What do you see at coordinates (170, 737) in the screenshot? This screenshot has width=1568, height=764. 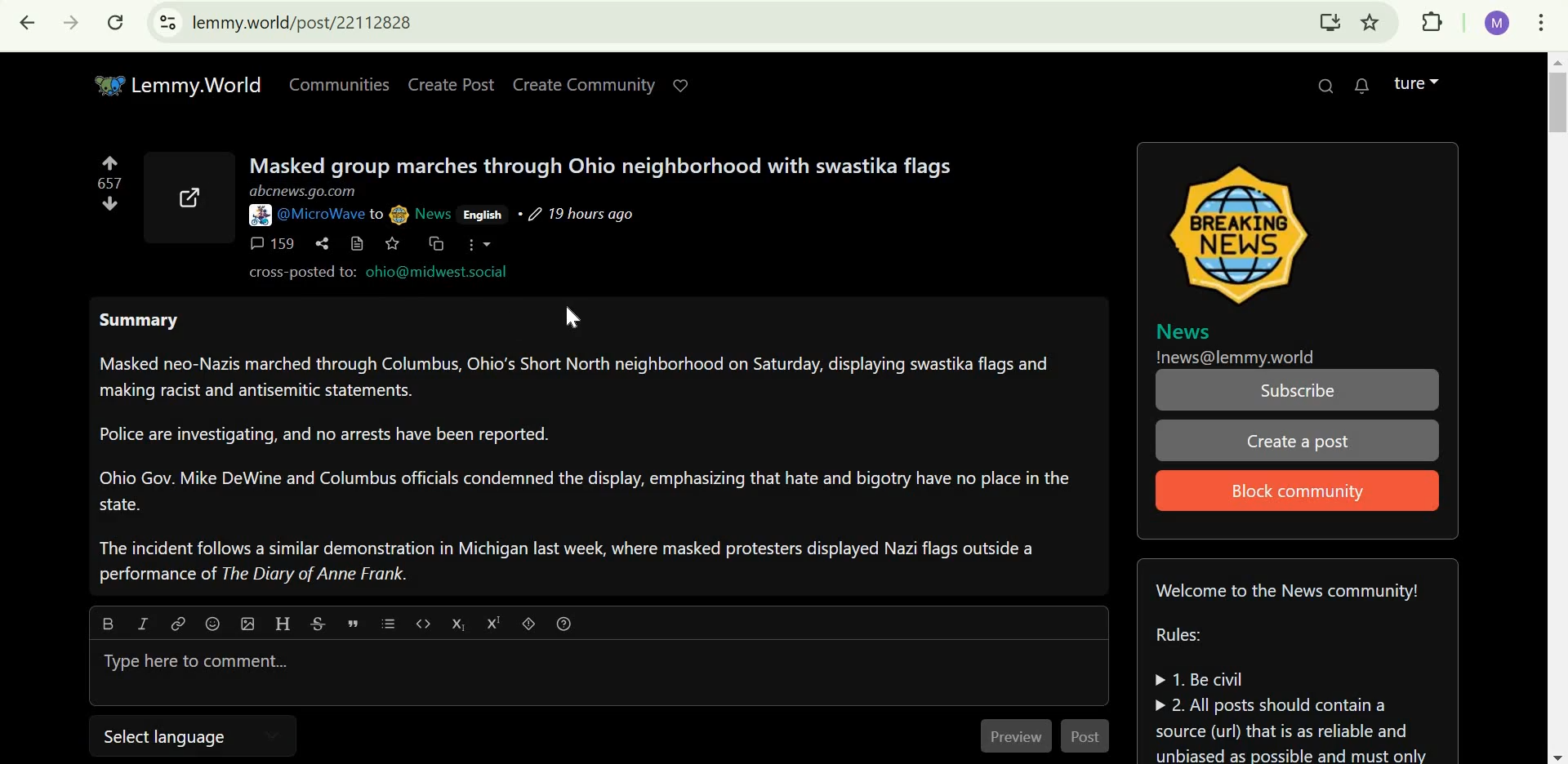 I see `select language` at bounding box center [170, 737].